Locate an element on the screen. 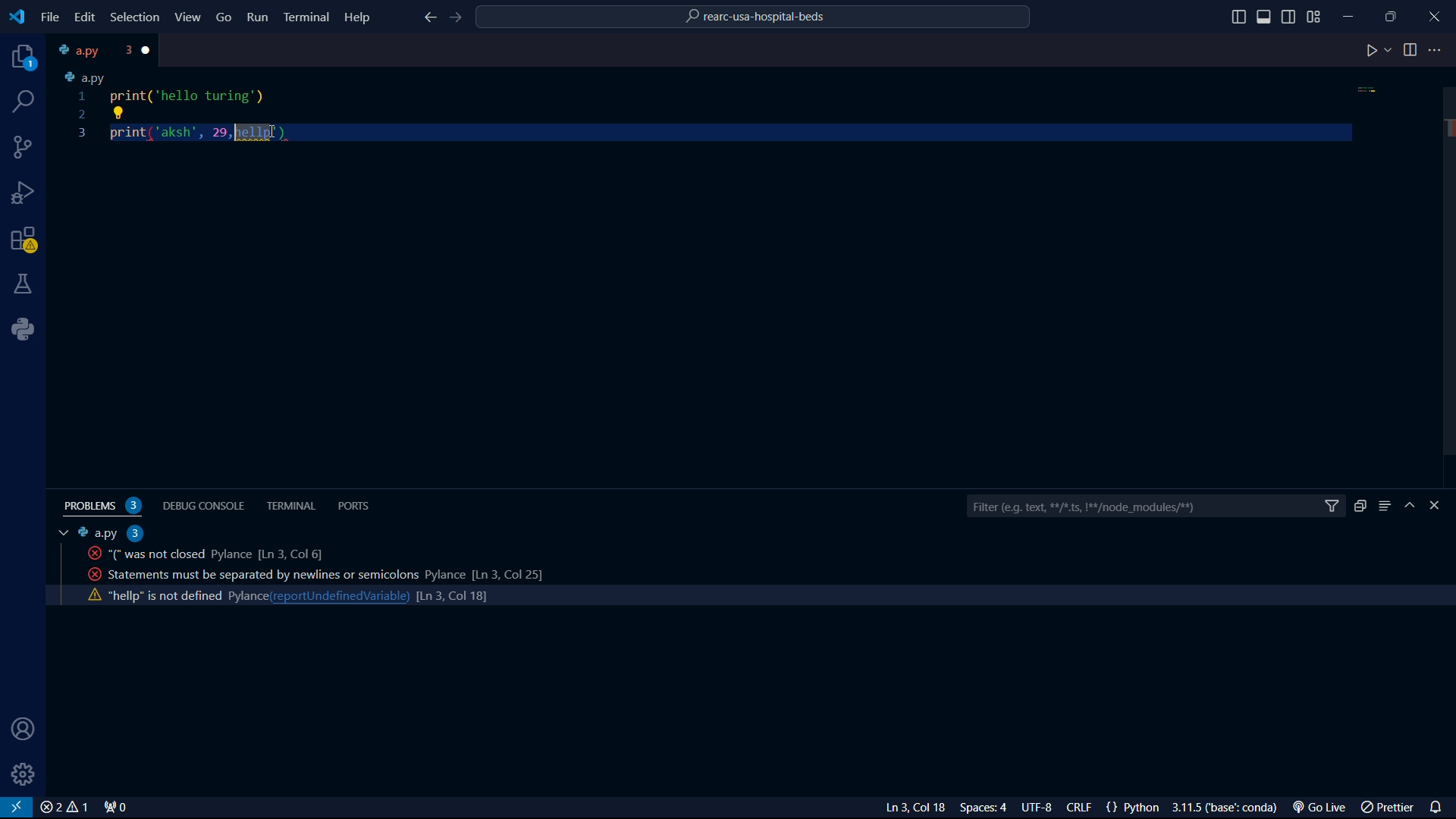 Image resolution: width=1456 pixels, height=819 pixels. Terminal is located at coordinates (306, 16).